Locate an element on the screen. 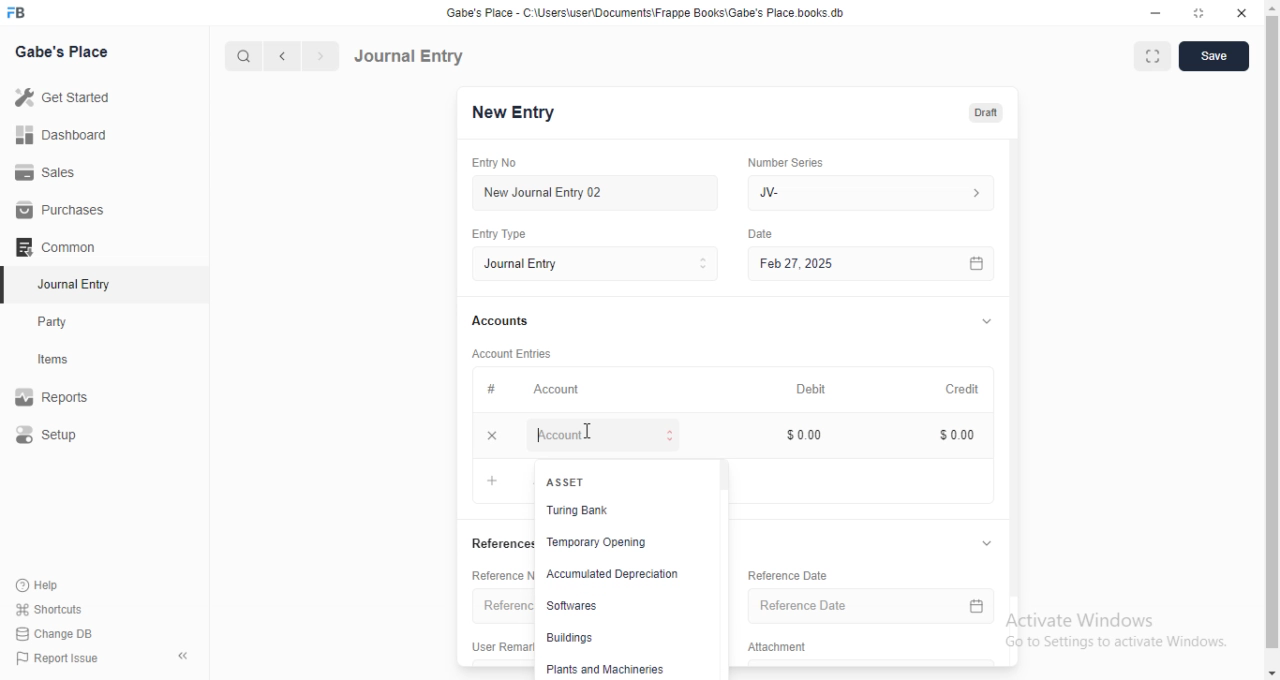 The width and height of the screenshot is (1280, 680). Entry Type is located at coordinates (507, 235).